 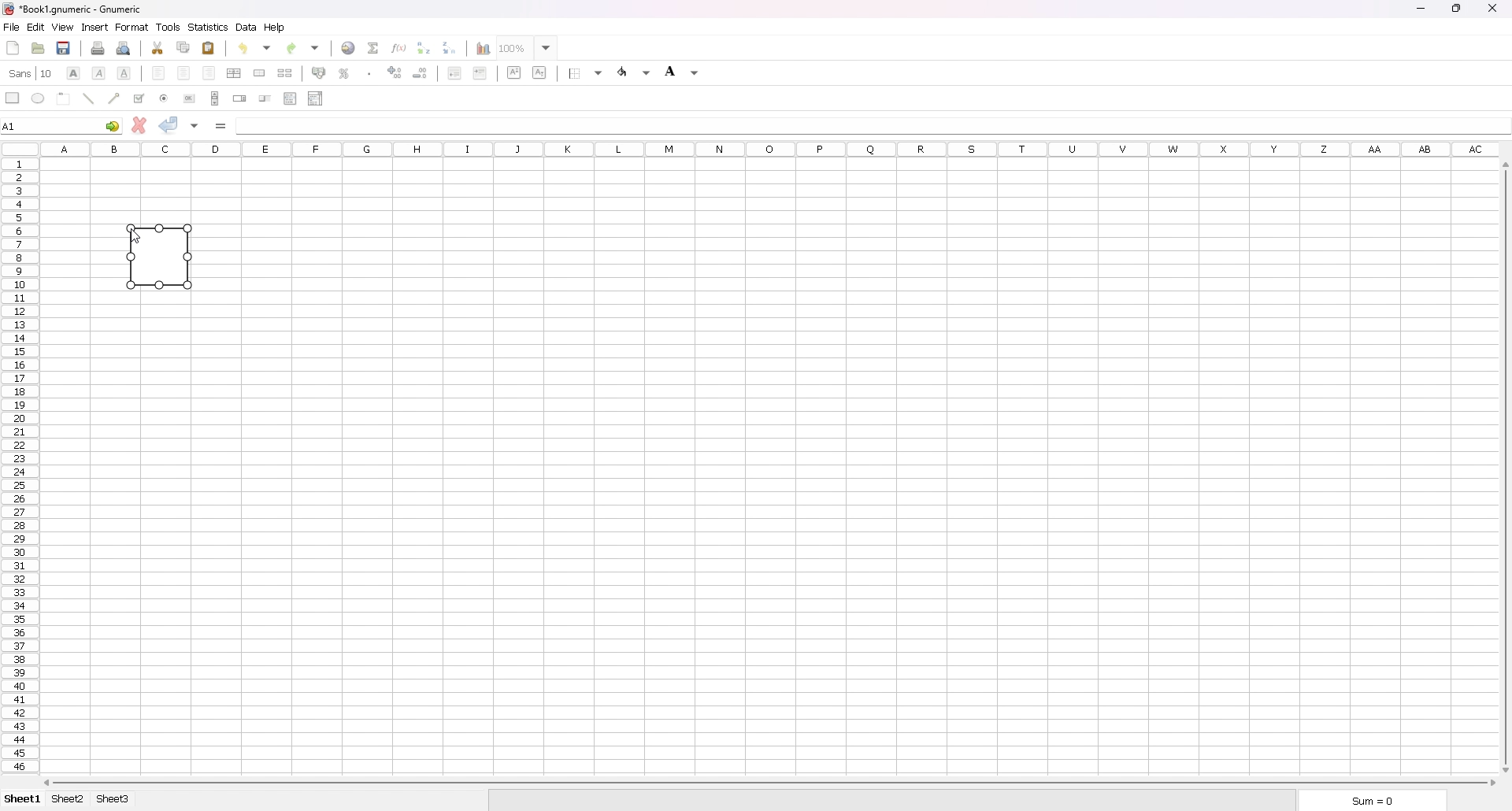 What do you see at coordinates (254, 48) in the screenshot?
I see `undo` at bounding box center [254, 48].